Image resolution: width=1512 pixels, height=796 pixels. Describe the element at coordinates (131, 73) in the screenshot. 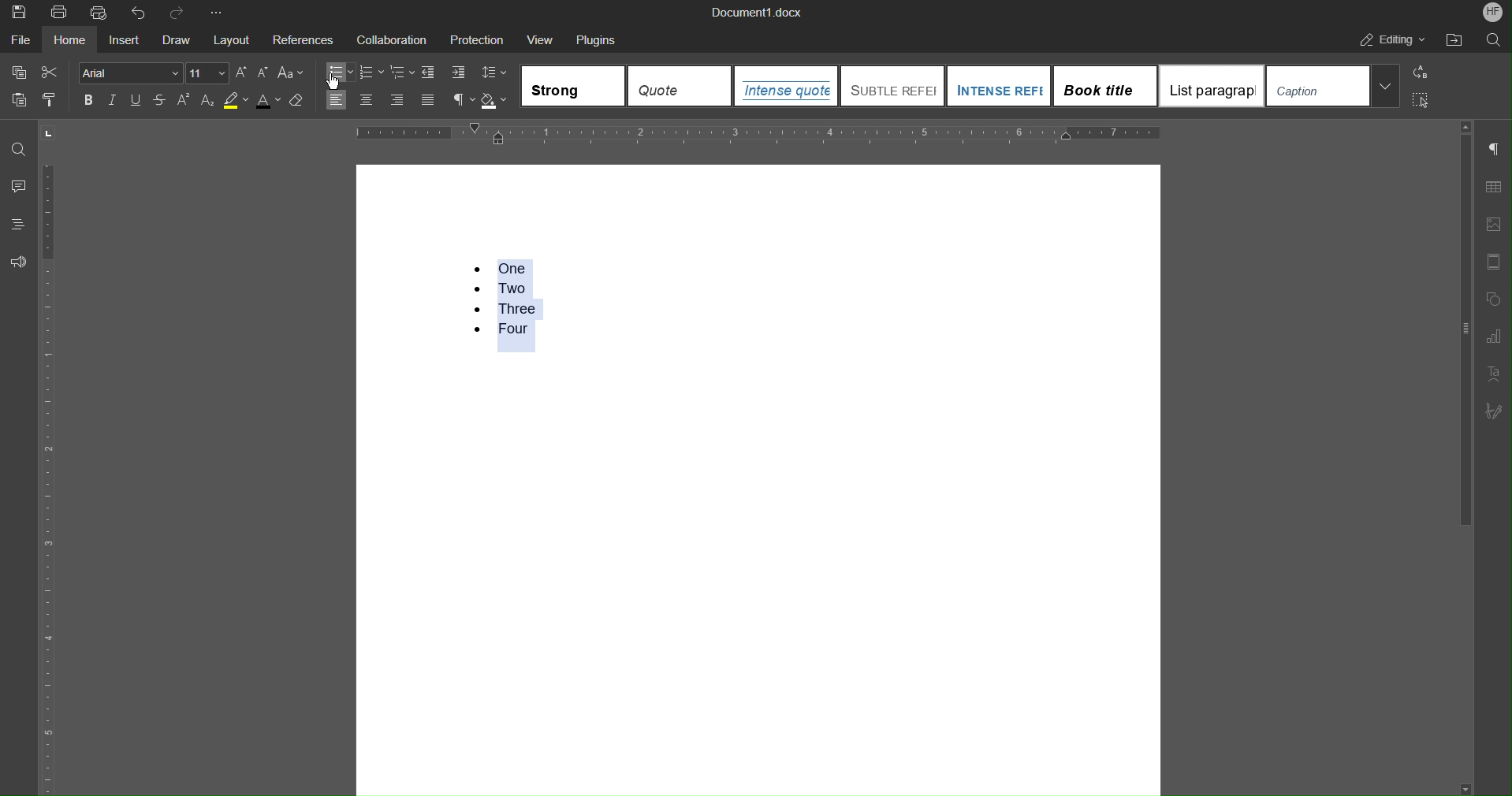

I see `Font` at that location.